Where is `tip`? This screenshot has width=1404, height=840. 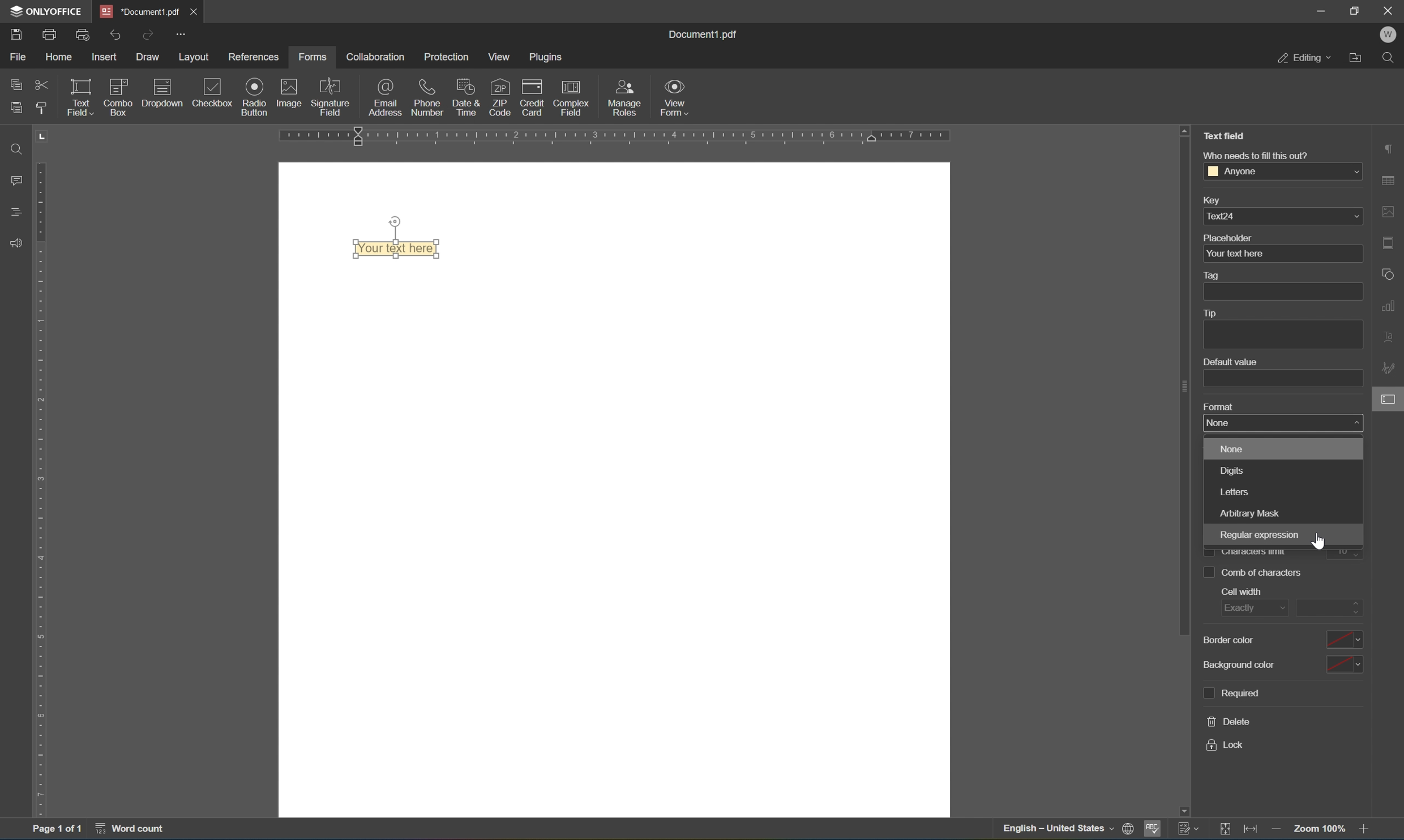
tip is located at coordinates (1209, 313).